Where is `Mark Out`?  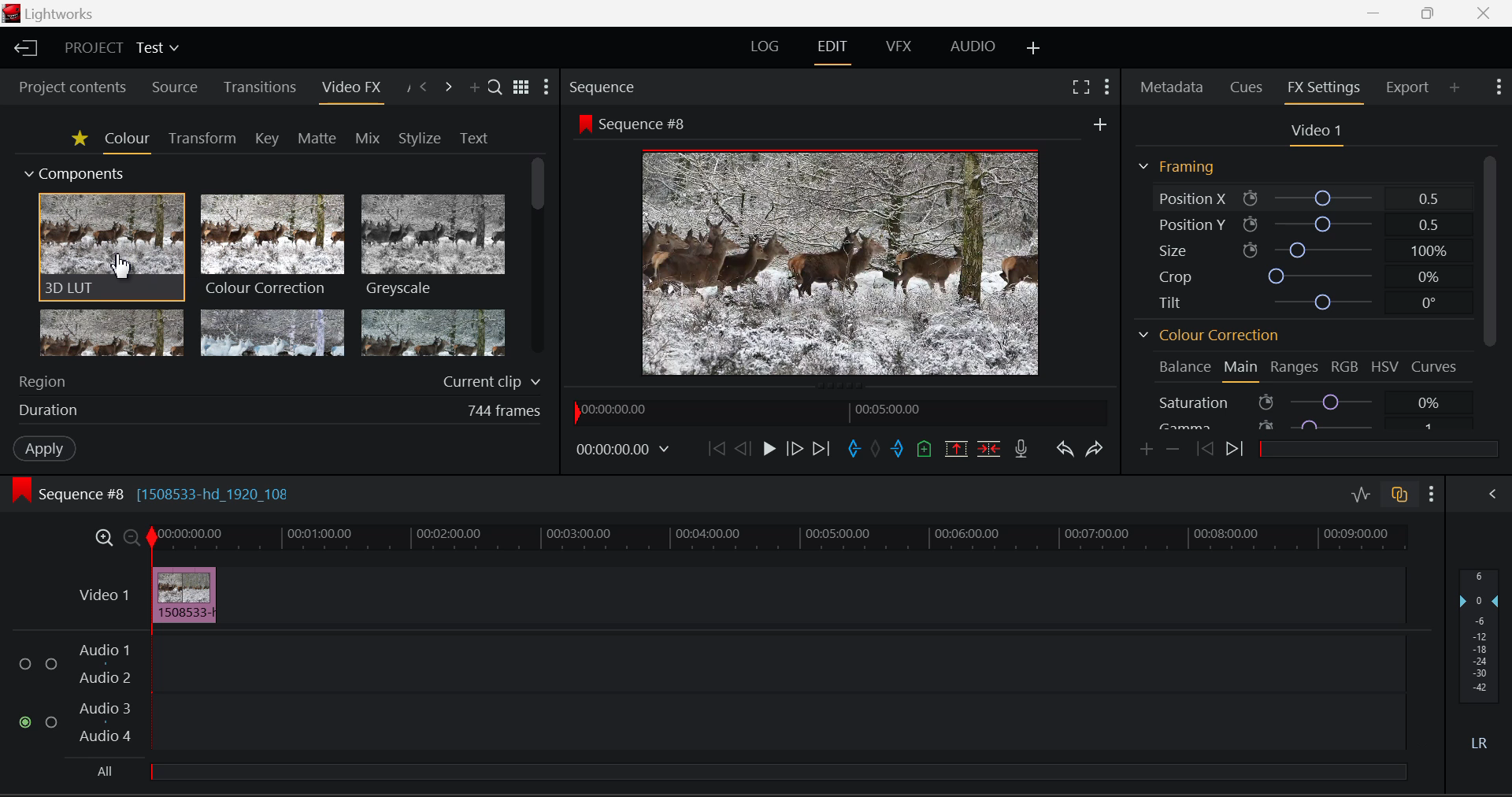 Mark Out is located at coordinates (898, 449).